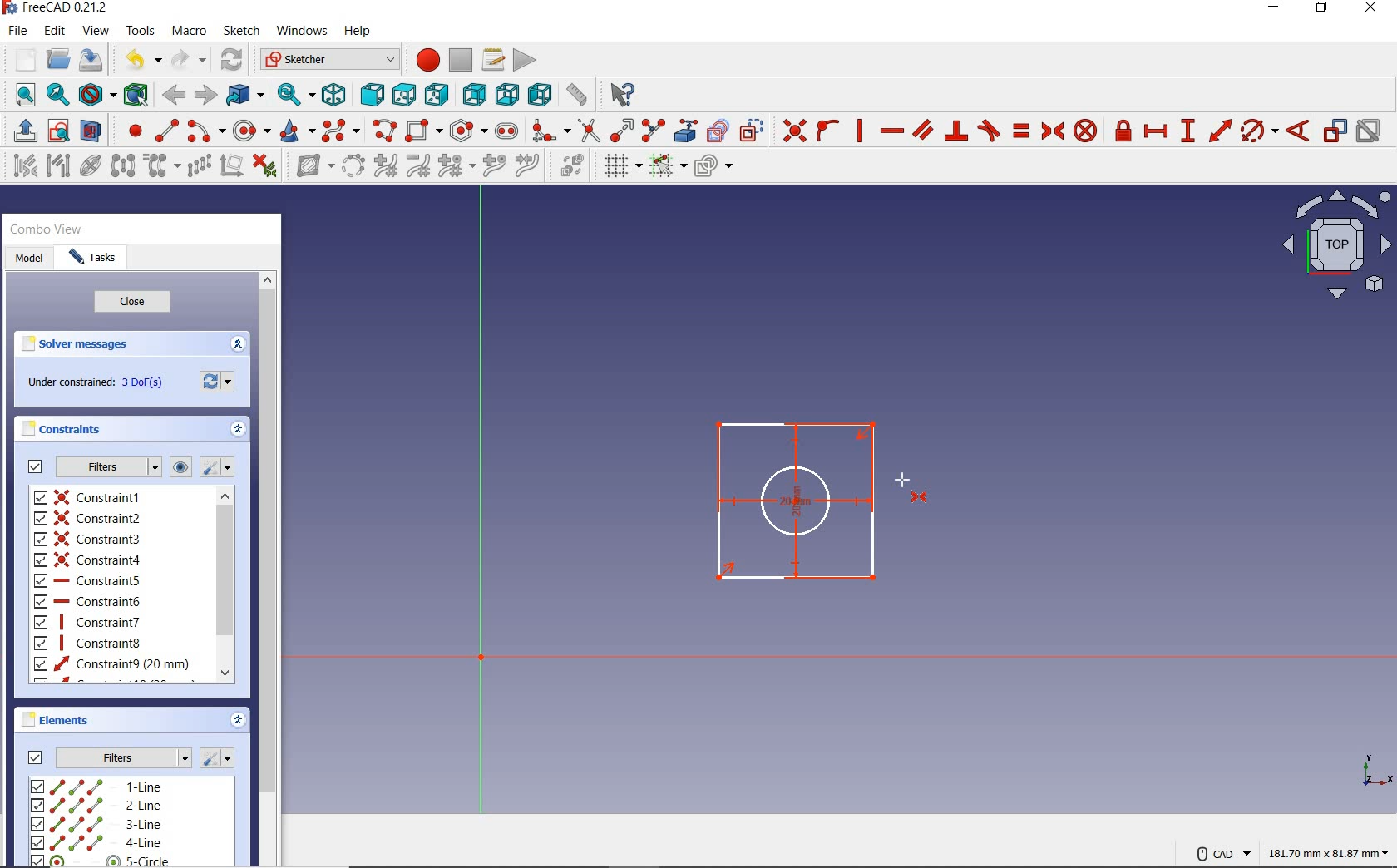 The image size is (1397, 868). What do you see at coordinates (205, 131) in the screenshot?
I see `create arc` at bounding box center [205, 131].